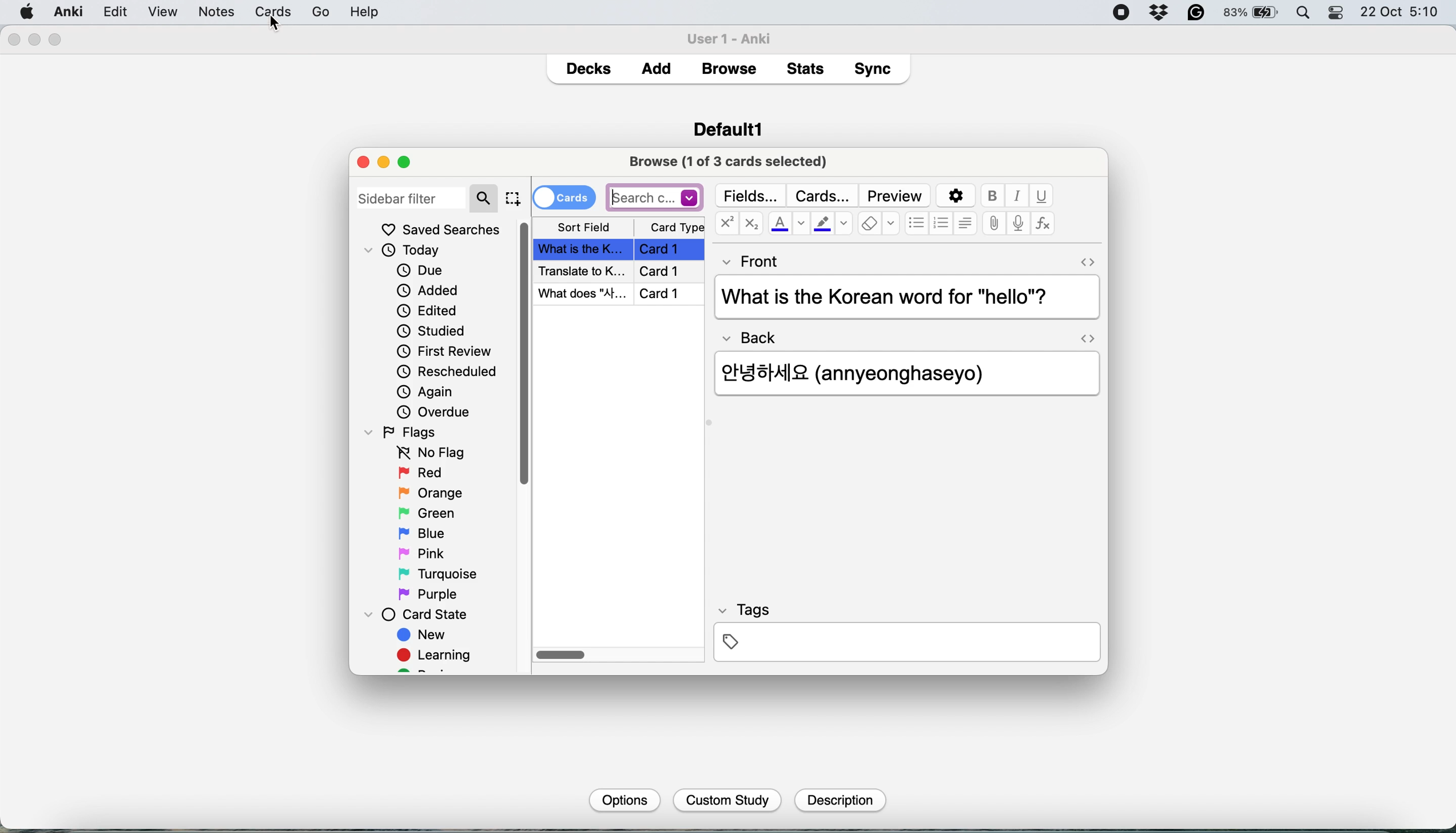 The image size is (1456, 833). Describe the element at coordinates (562, 656) in the screenshot. I see `horizontal scroll bar` at that location.